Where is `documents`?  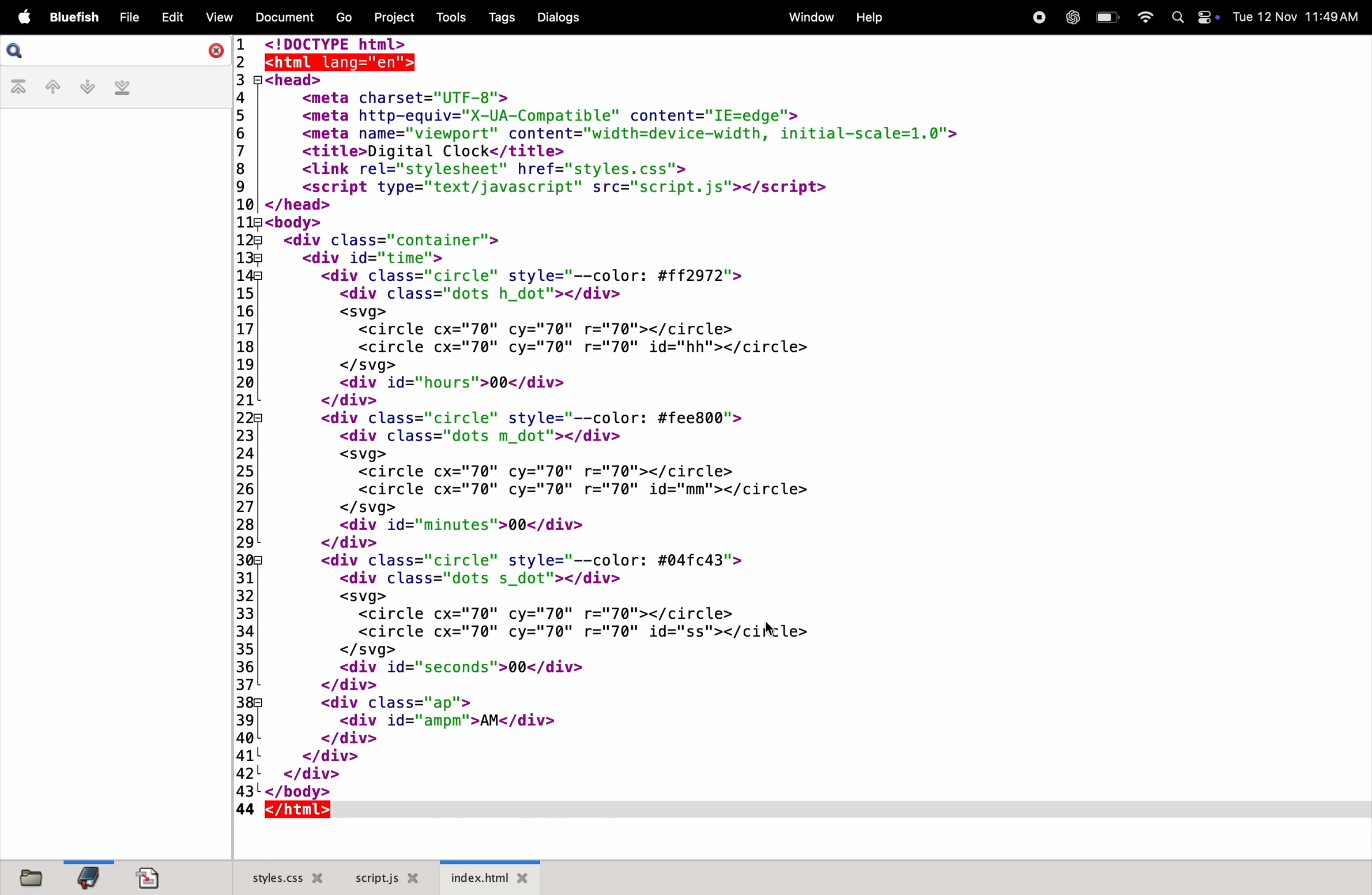
documents is located at coordinates (281, 17).